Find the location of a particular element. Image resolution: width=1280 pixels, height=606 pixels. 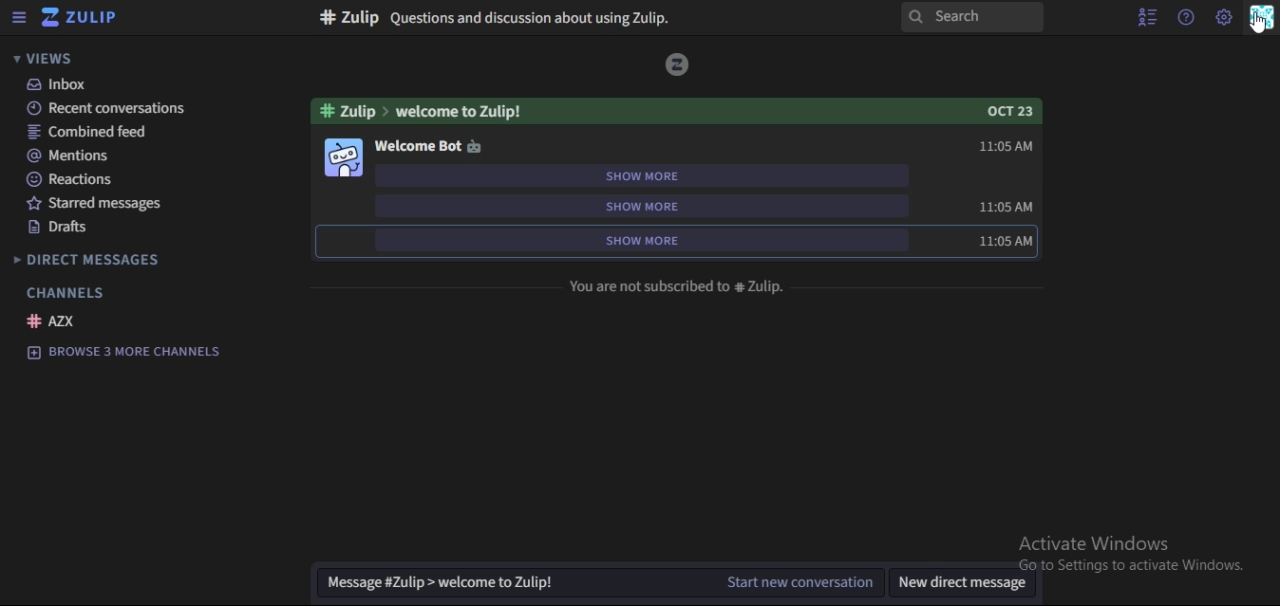

show more is located at coordinates (654, 207).